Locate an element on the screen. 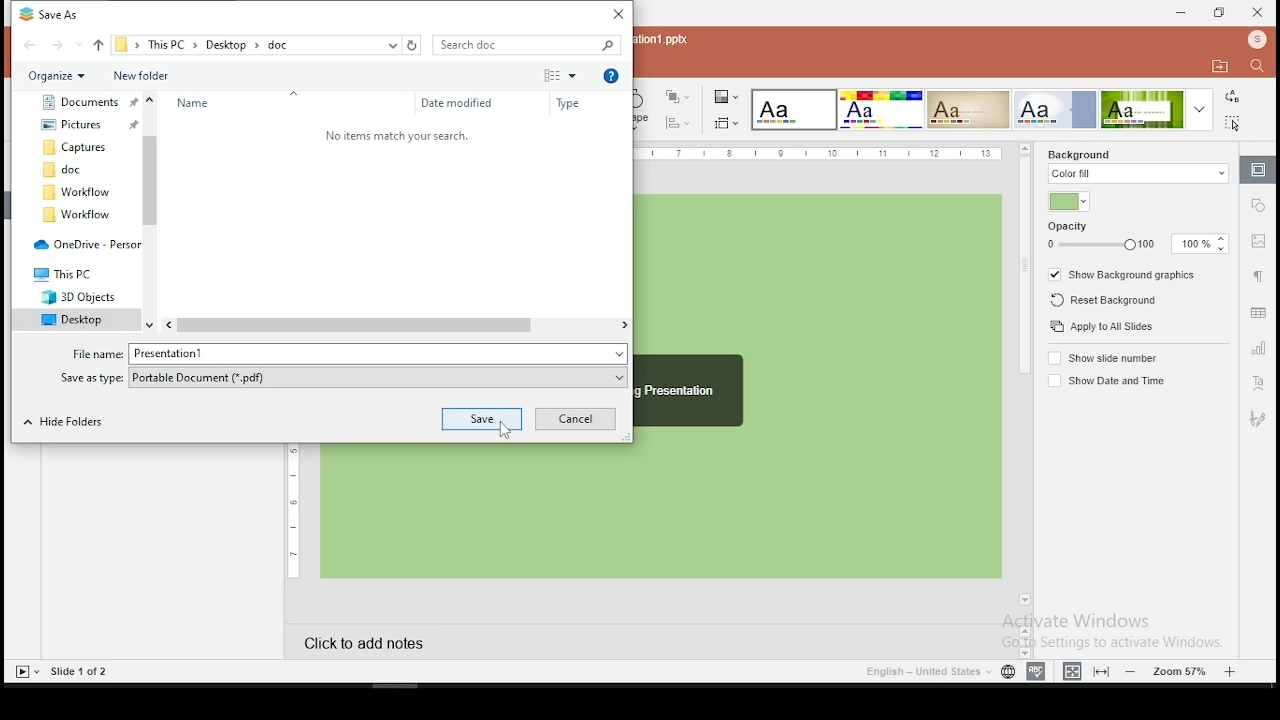  image settings is located at coordinates (1258, 243).